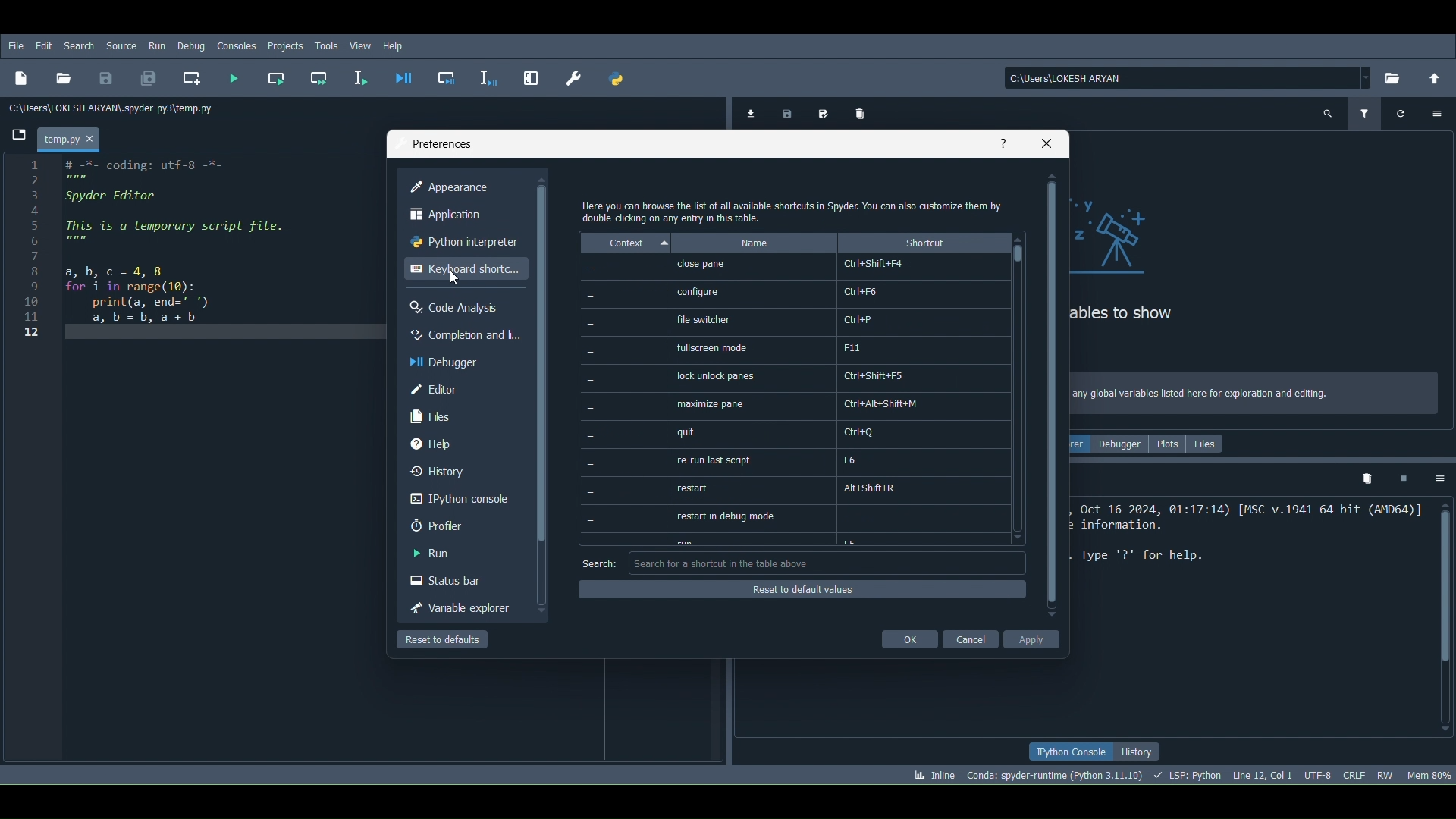 The height and width of the screenshot is (819, 1456). Describe the element at coordinates (192, 47) in the screenshot. I see `Debug` at that location.